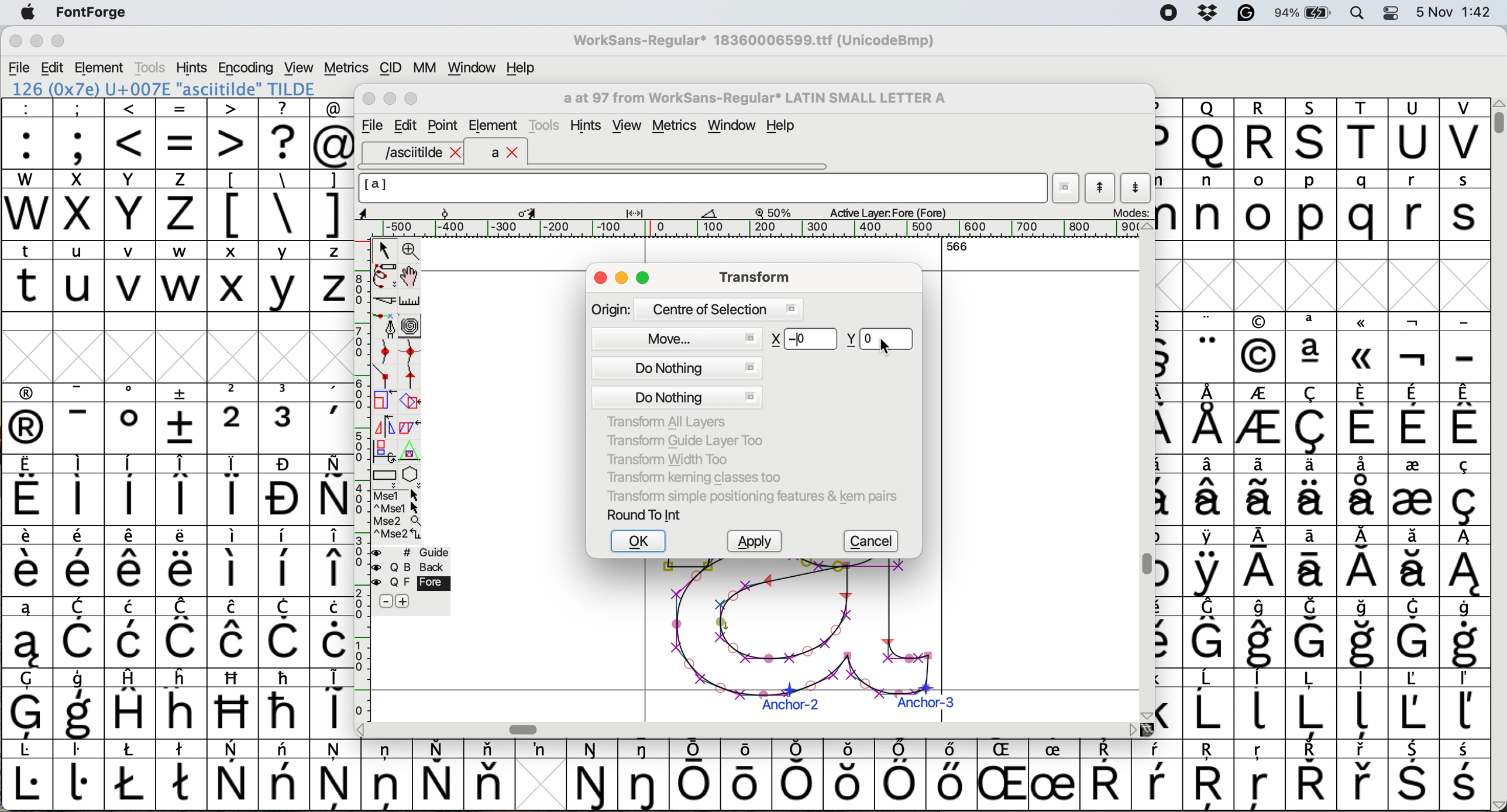  I want to click on window, so click(469, 68).